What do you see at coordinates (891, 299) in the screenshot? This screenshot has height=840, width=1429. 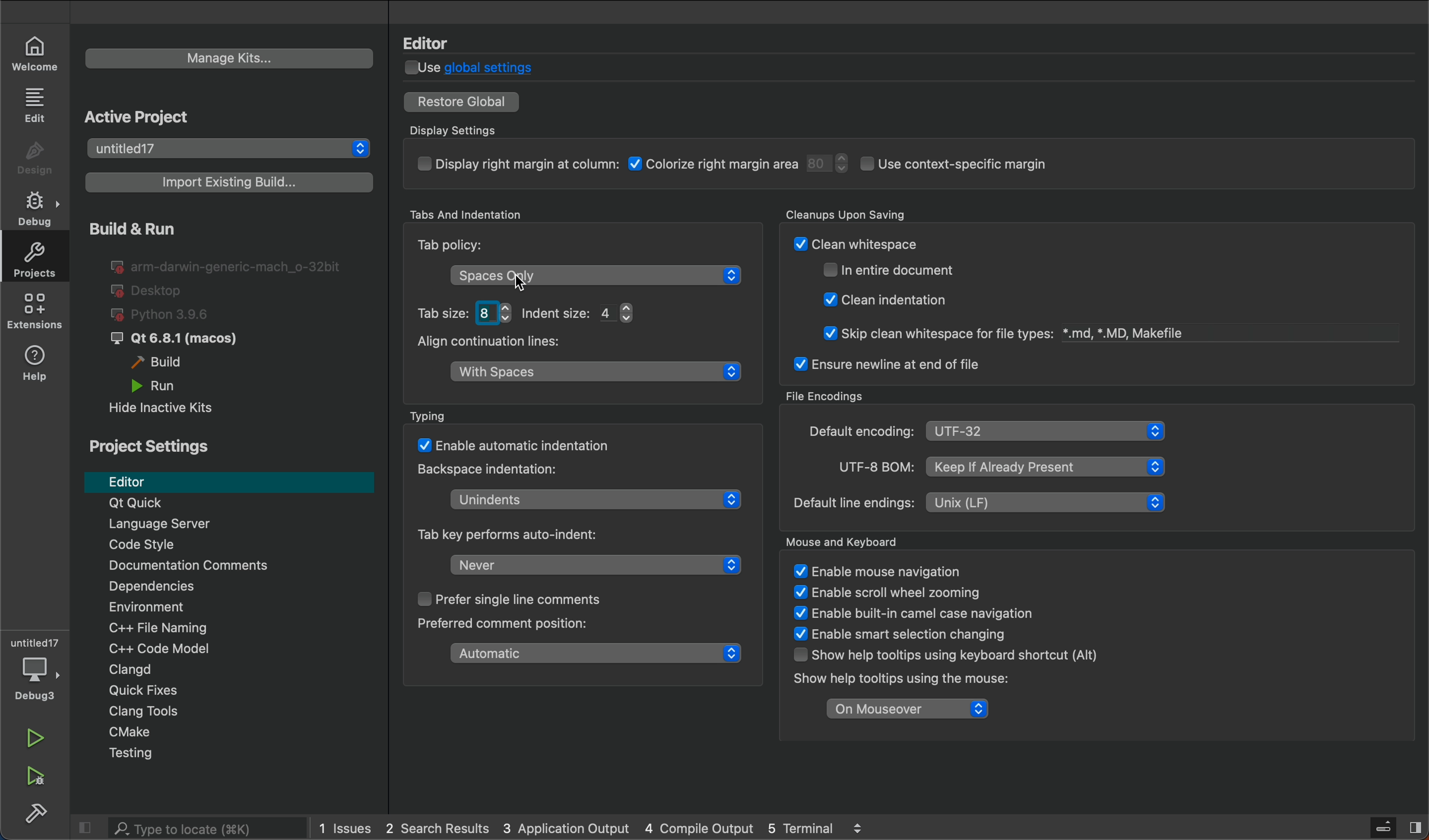 I see `W! Clean indentation` at bounding box center [891, 299].